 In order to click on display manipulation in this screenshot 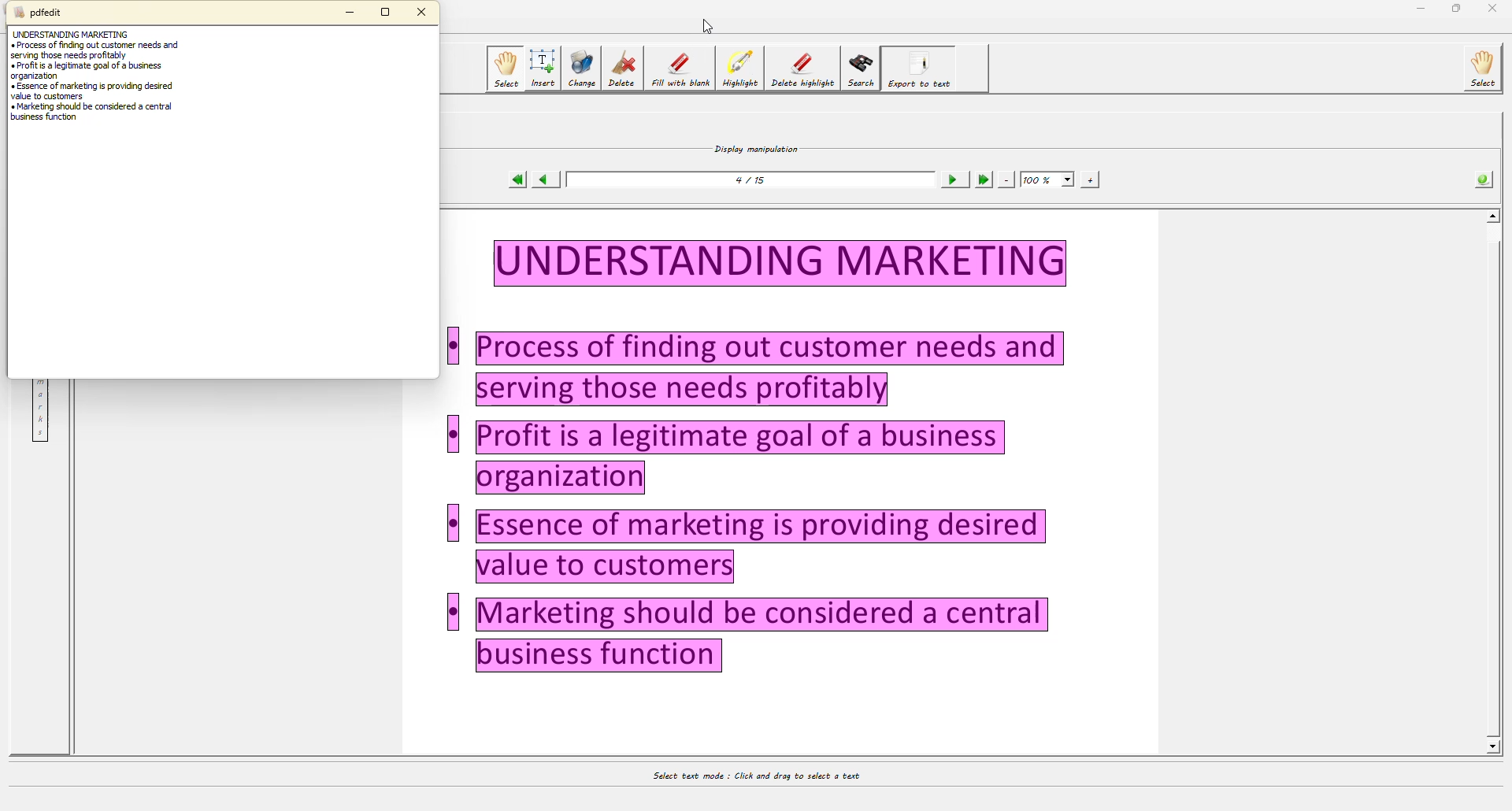, I will do `click(754, 146)`.